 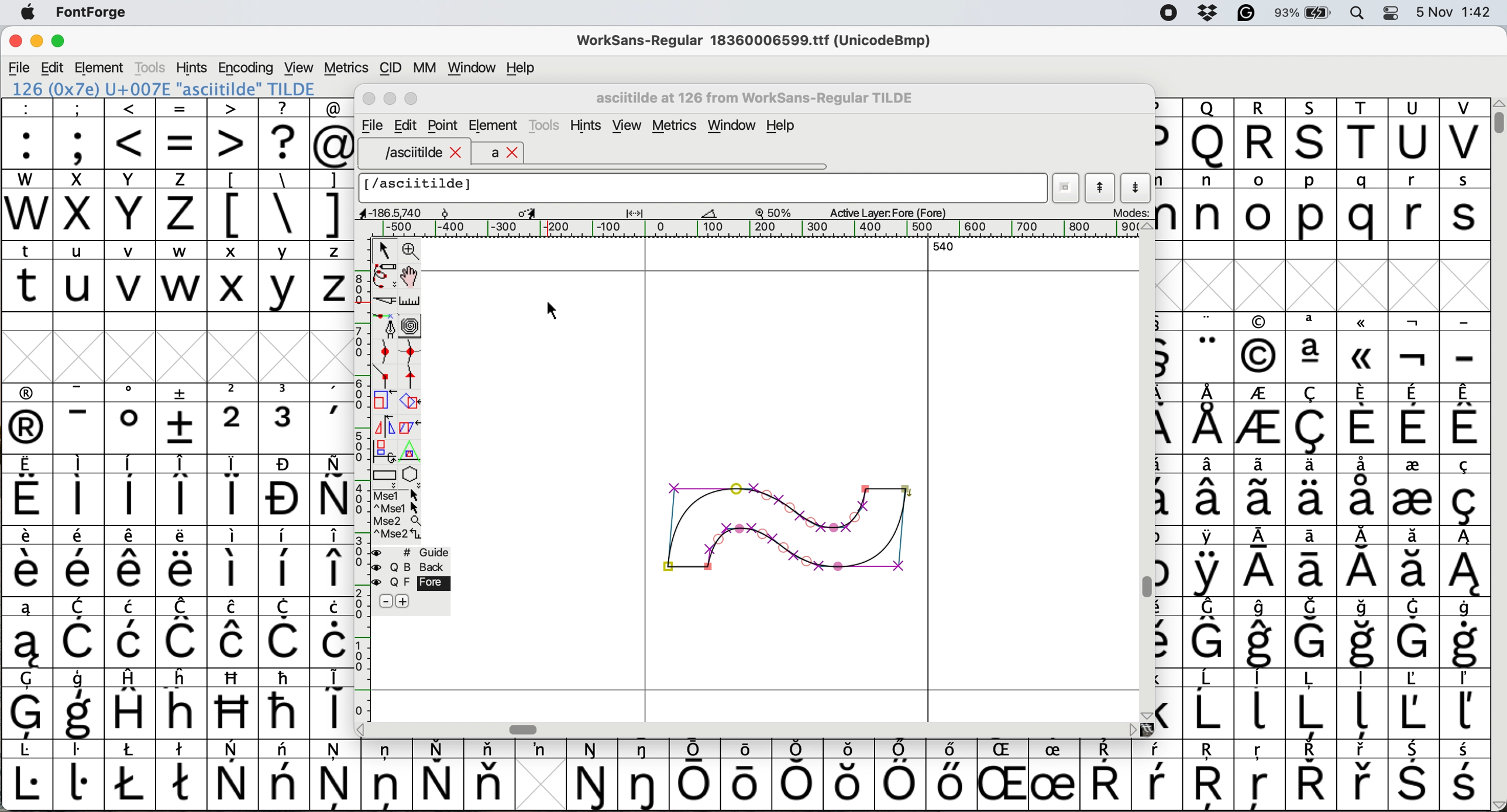 I want to click on symbol, so click(x=1313, y=419).